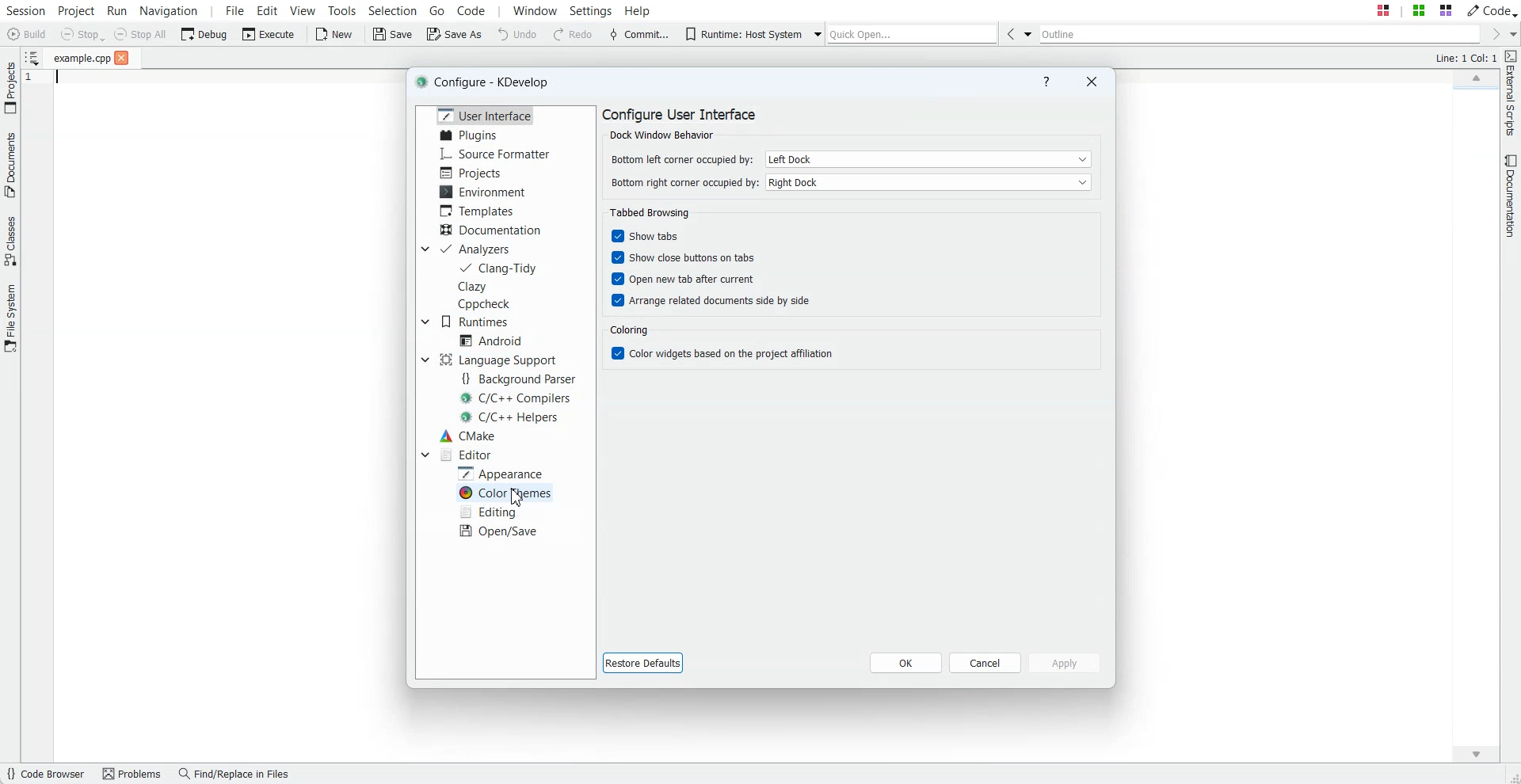 The image size is (1521, 784). Describe the element at coordinates (393, 35) in the screenshot. I see `Save` at that location.